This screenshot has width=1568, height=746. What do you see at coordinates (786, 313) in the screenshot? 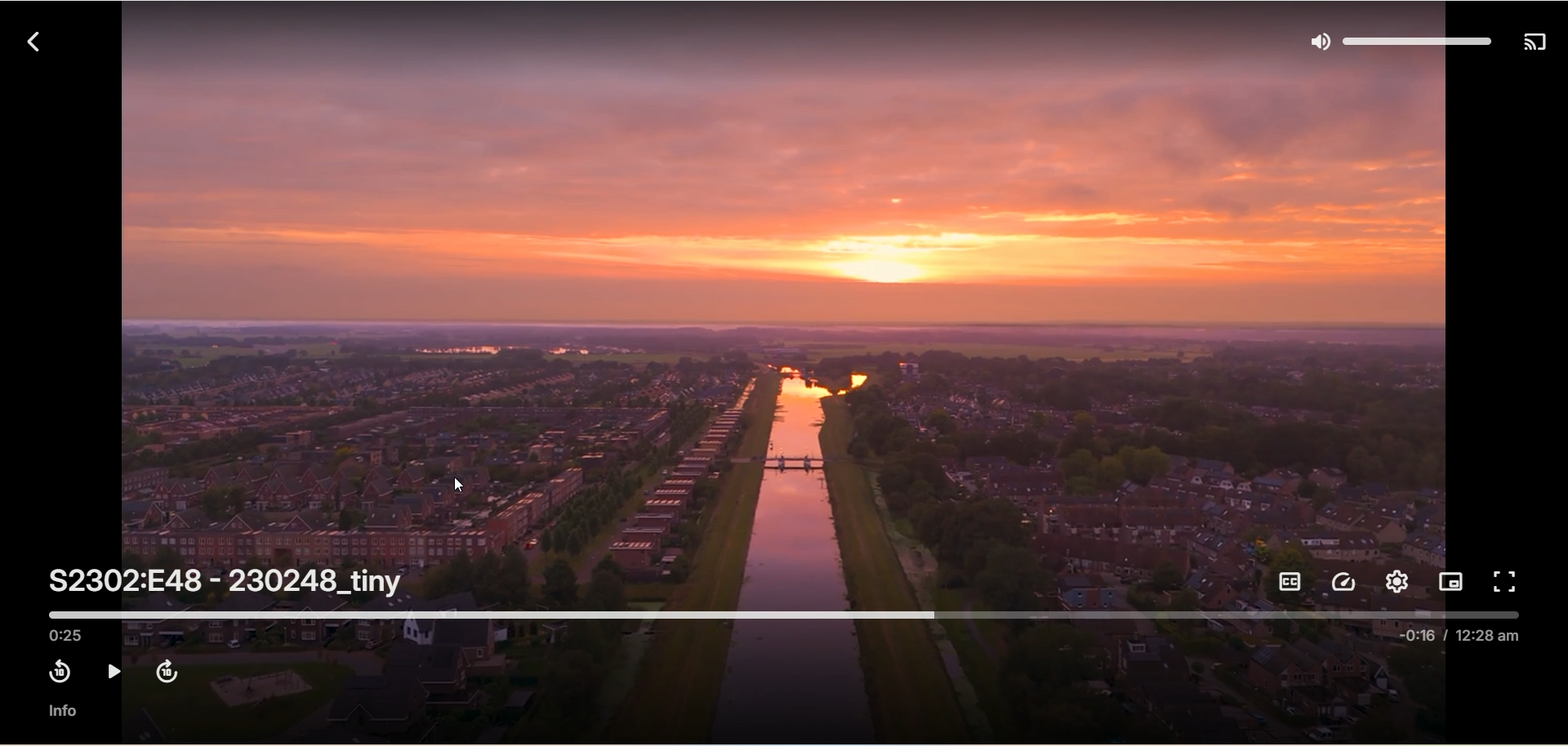
I see `video` at bounding box center [786, 313].